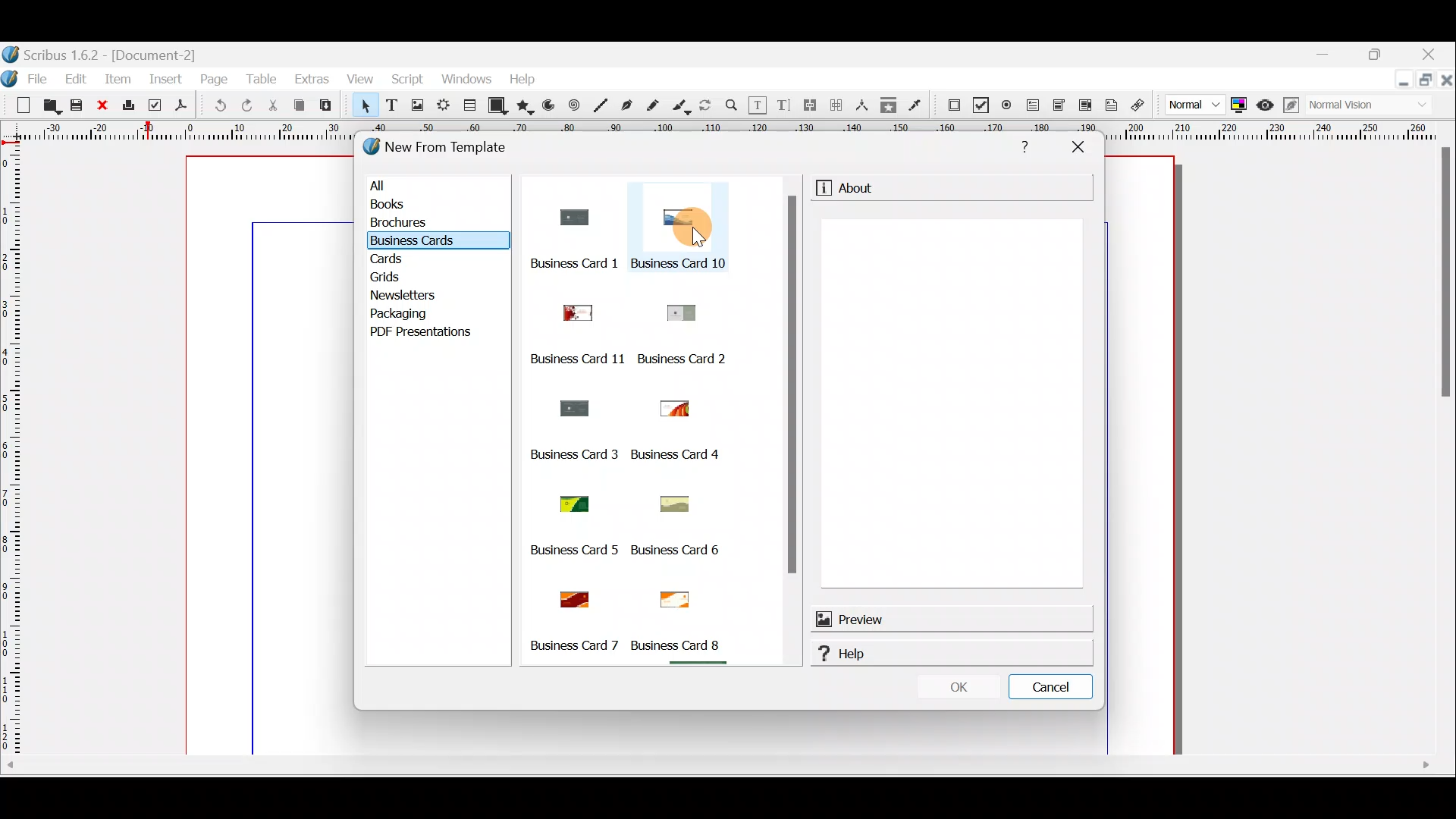 This screenshot has width=1456, height=819. What do you see at coordinates (670, 409) in the screenshot?
I see `Business card image` at bounding box center [670, 409].